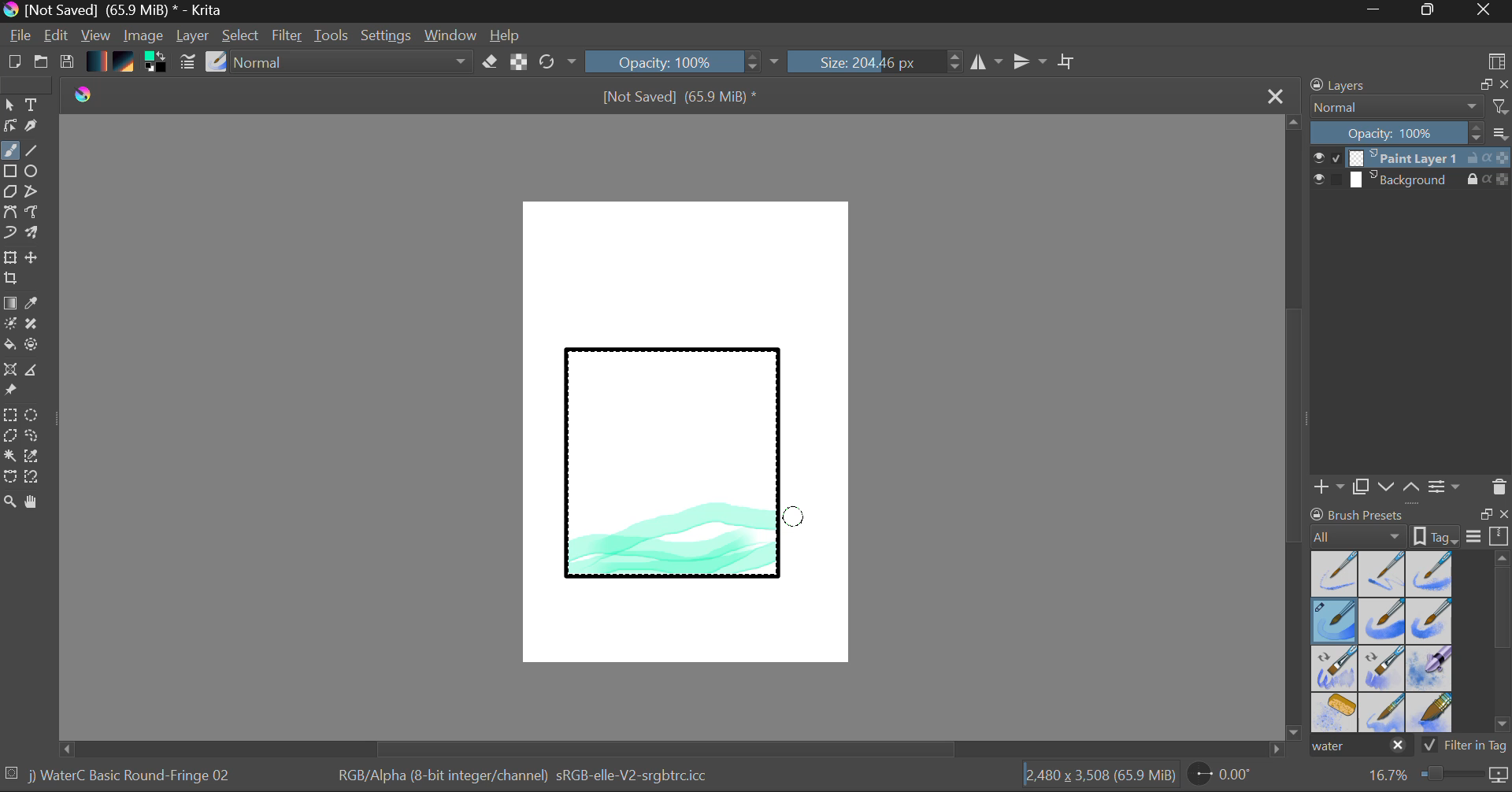  What do you see at coordinates (9, 478) in the screenshot?
I see `Bezier Curve Selector` at bounding box center [9, 478].